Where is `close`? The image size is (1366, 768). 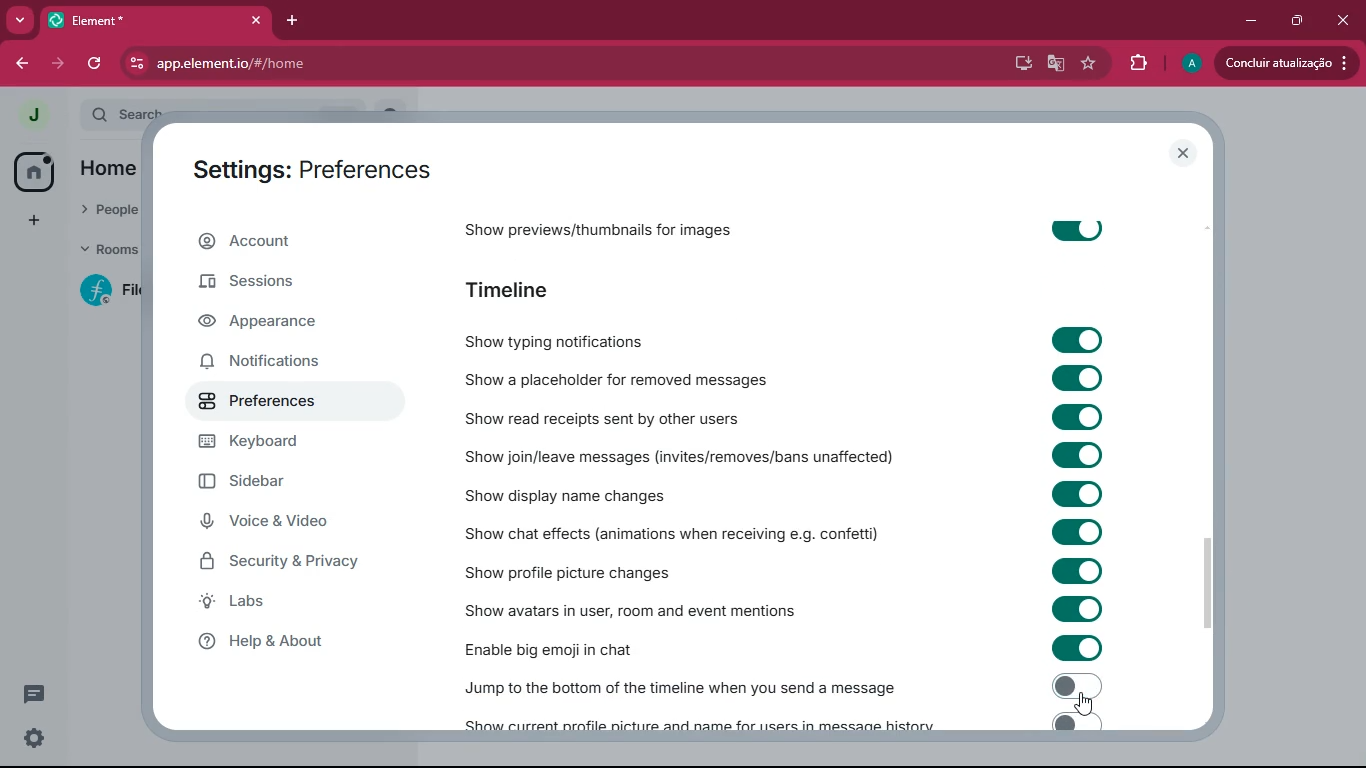
close is located at coordinates (254, 20).